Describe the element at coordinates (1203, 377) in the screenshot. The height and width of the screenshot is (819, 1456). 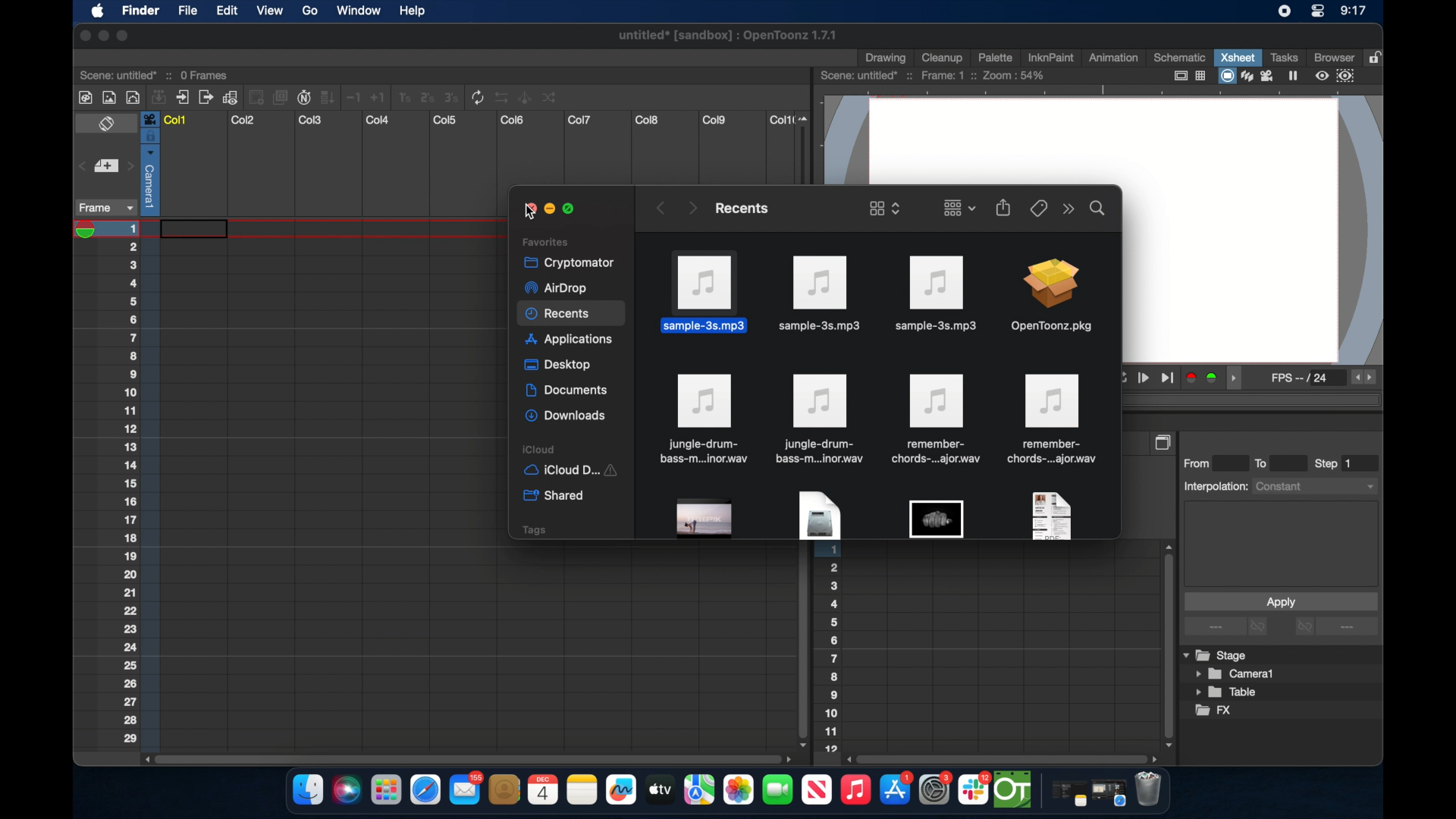
I see `color channels` at that location.